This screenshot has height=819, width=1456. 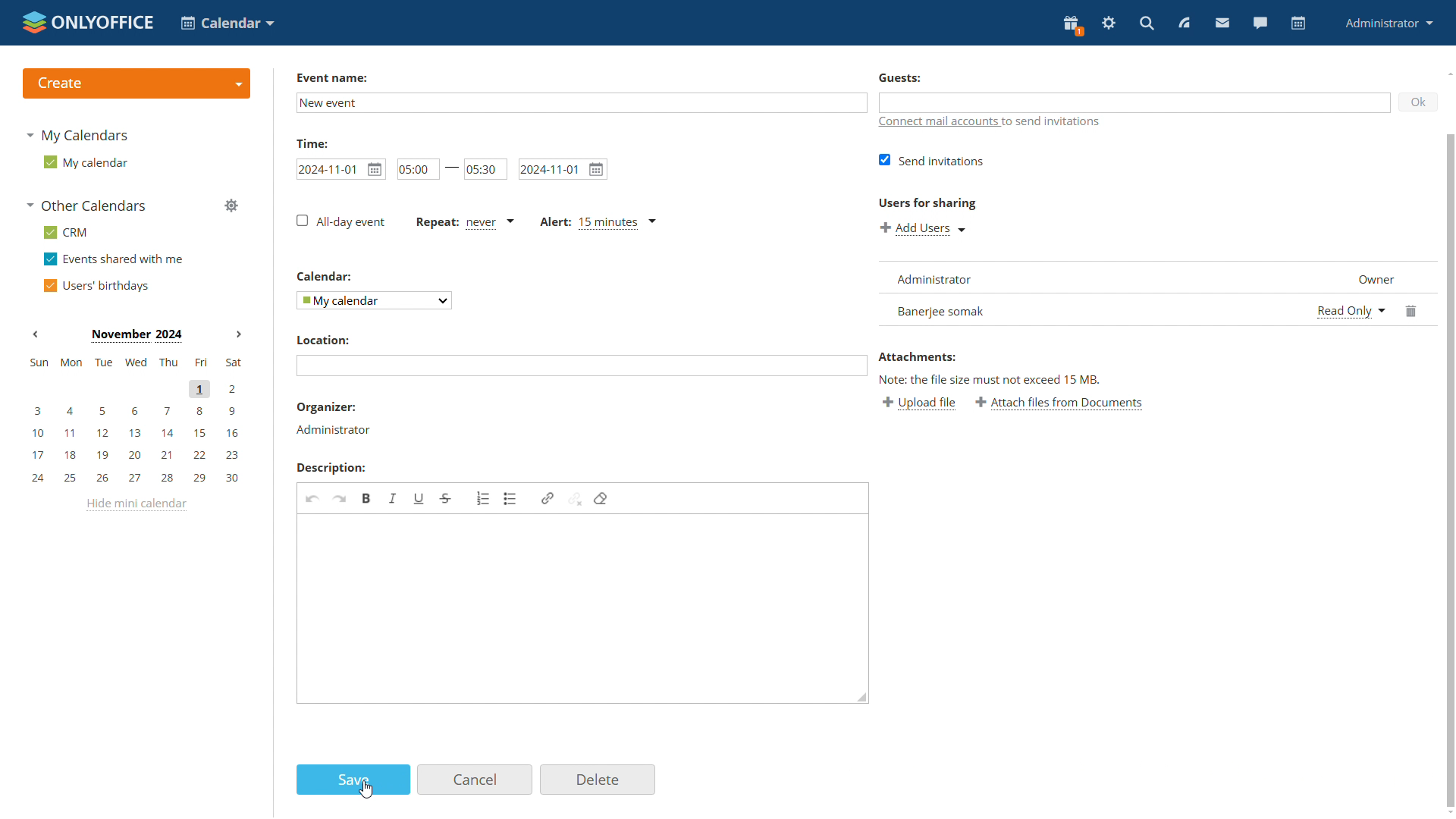 I want to click on save, so click(x=353, y=780).